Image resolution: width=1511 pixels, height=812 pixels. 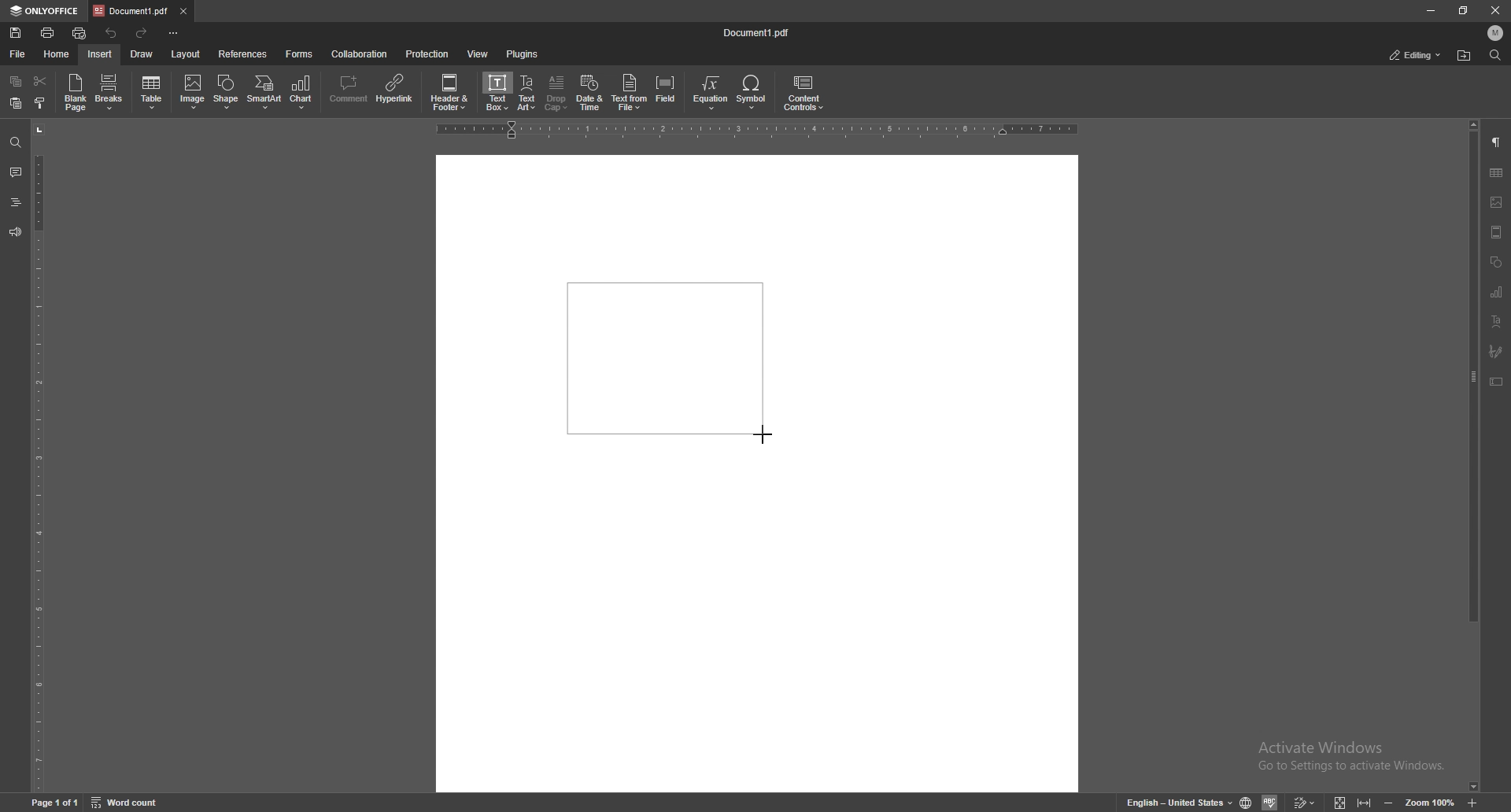 What do you see at coordinates (227, 92) in the screenshot?
I see `shape` at bounding box center [227, 92].